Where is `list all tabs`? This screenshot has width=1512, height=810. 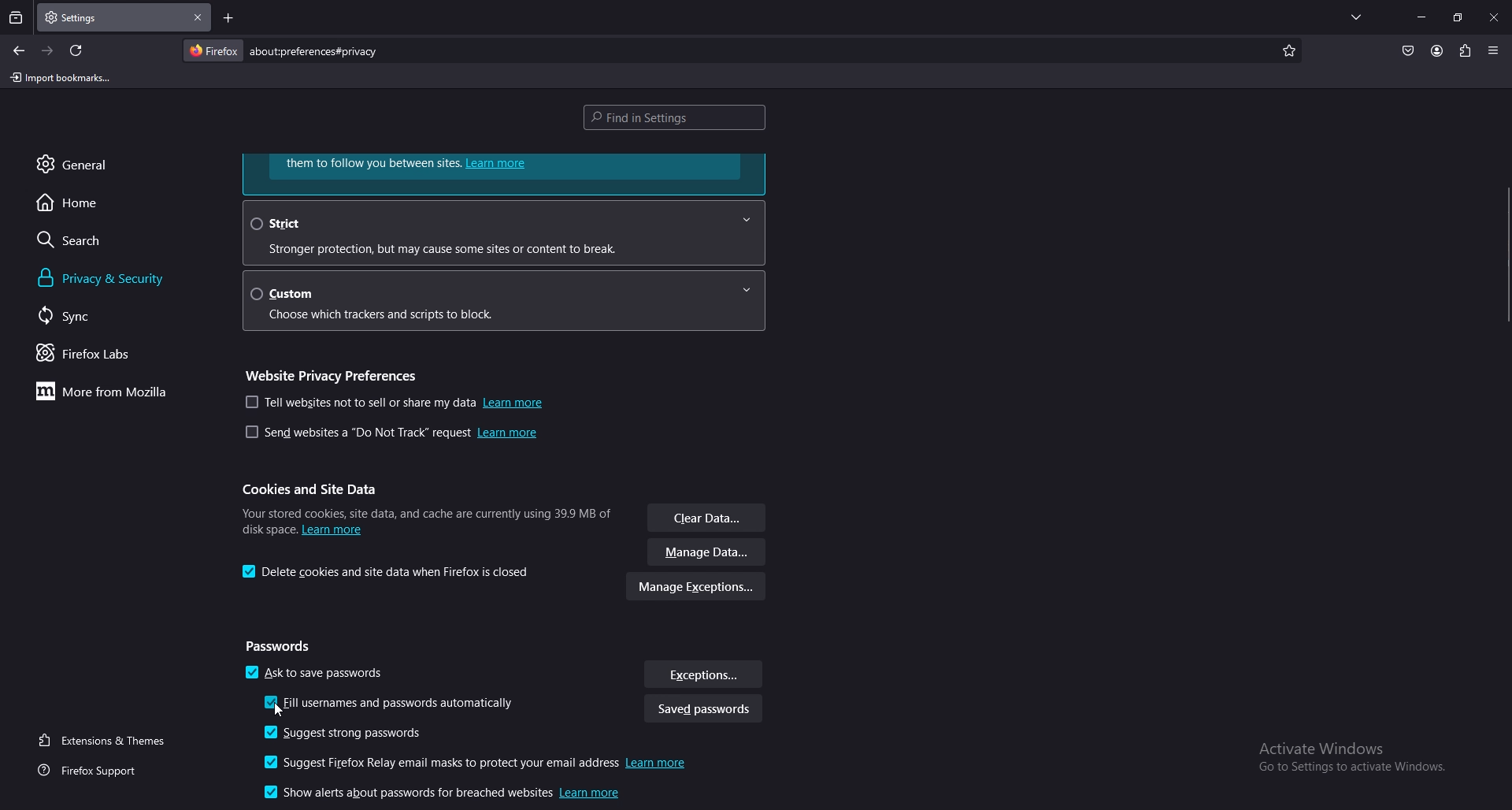 list all tabs is located at coordinates (1356, 17).